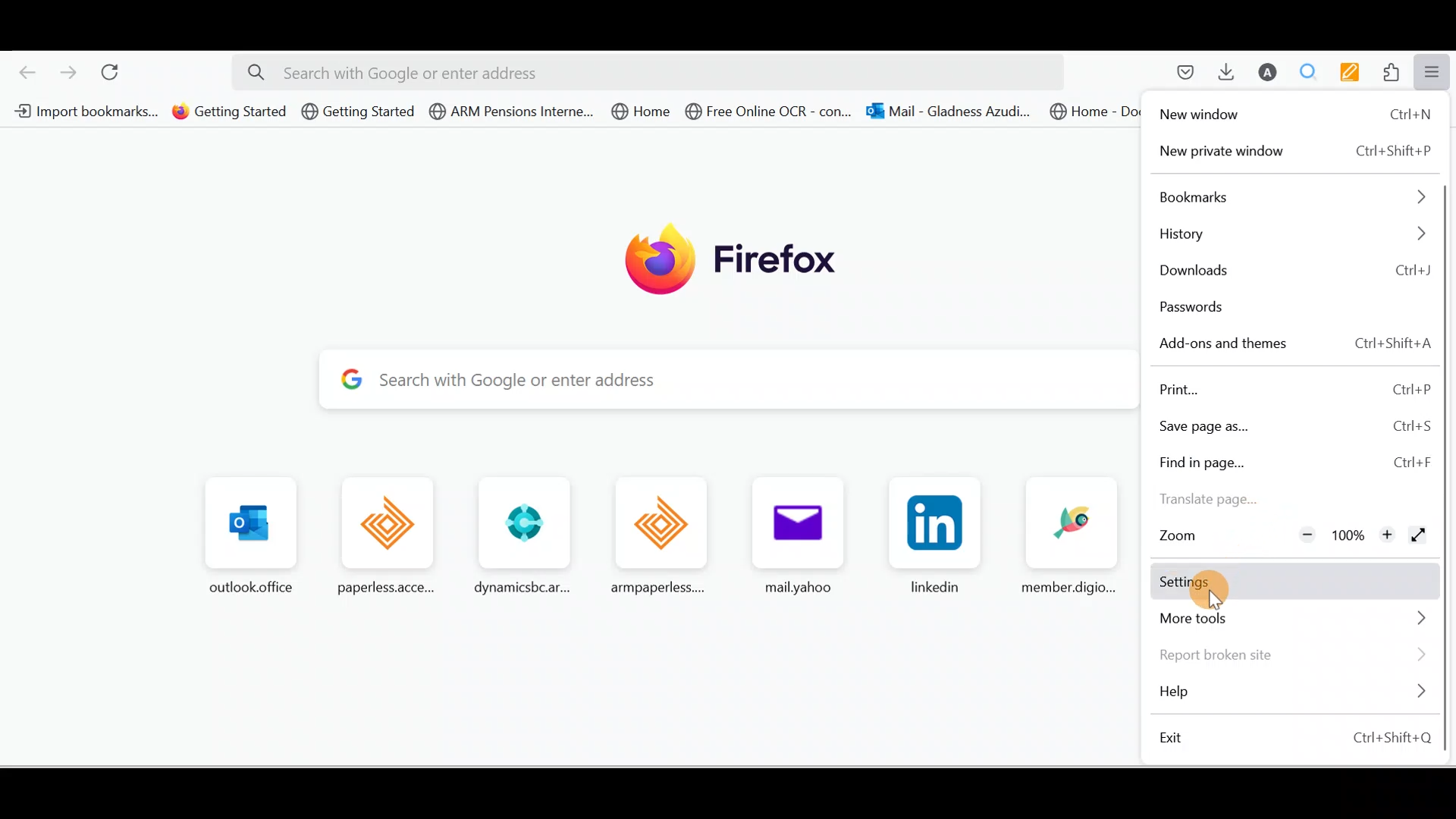 This screenshot has width=1456, height=819. I want to click on Scroll bar, so click(1445, 372).